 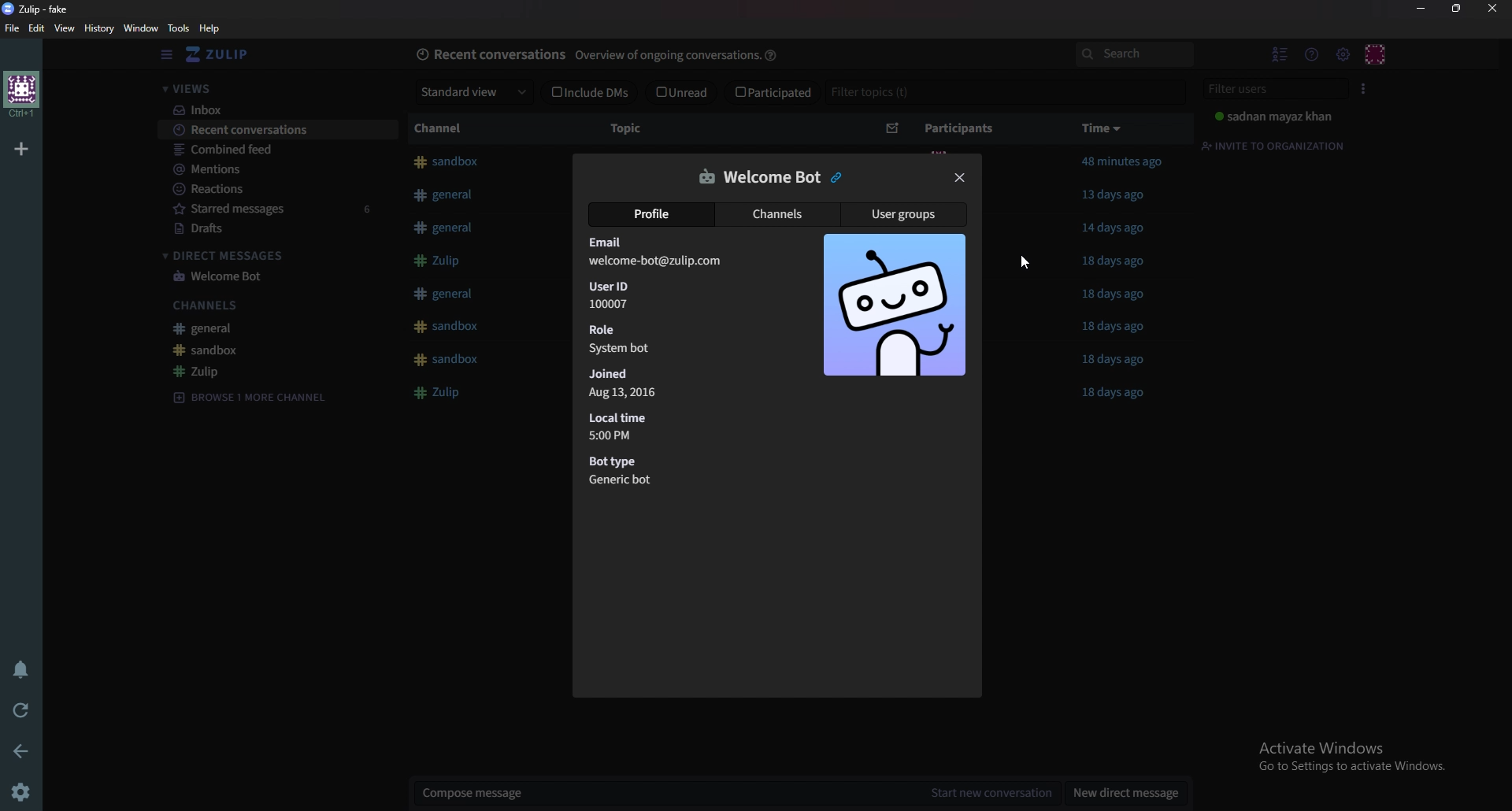 I want to click on History, so click(x=98, y=29).